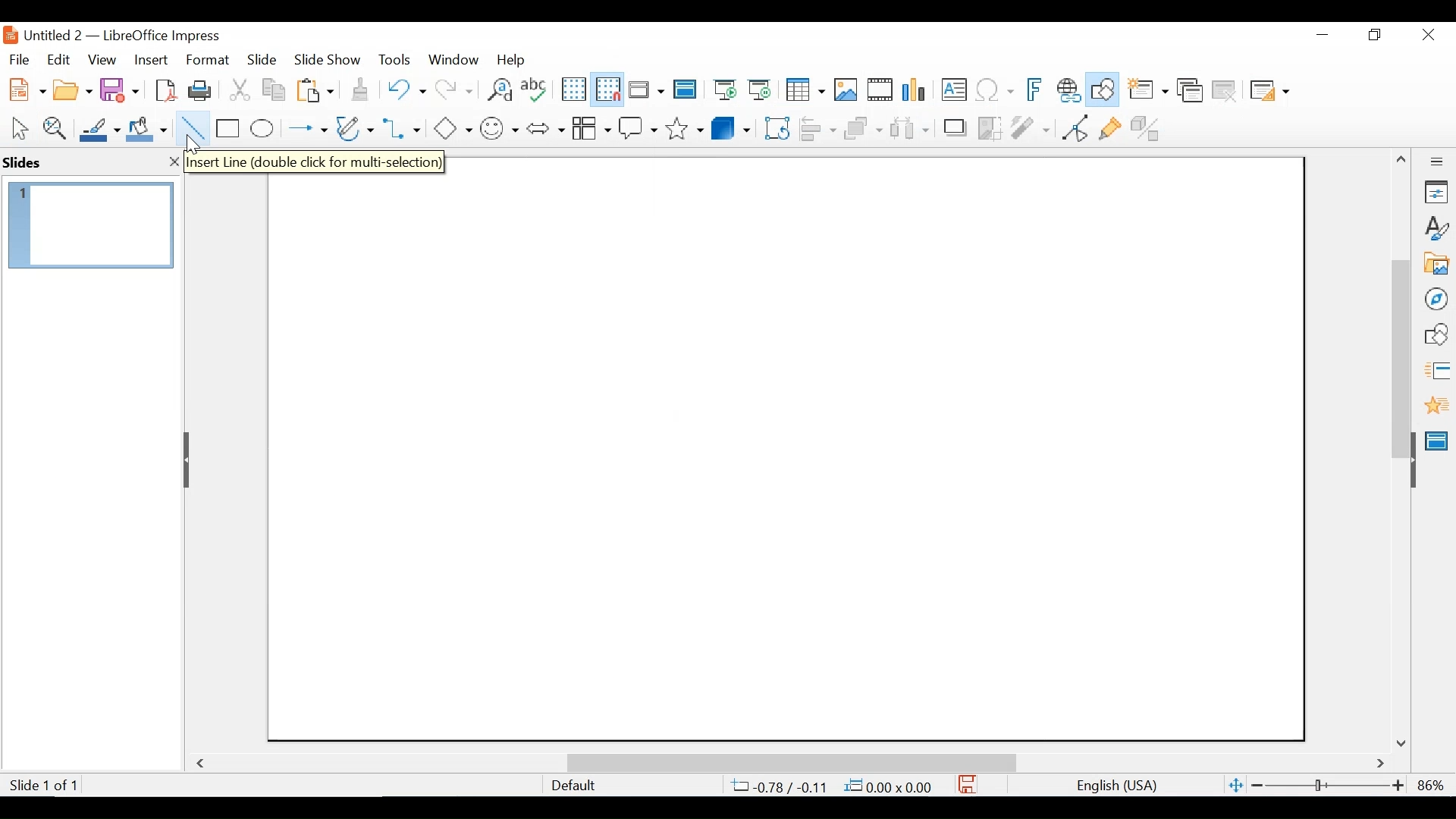 Image resolution: width=1456 pixels, height=819 pixels. What do you see at coordinates (1437, 405) in the screenshot?
I see `Animation` at bounding box center [1437, 405].